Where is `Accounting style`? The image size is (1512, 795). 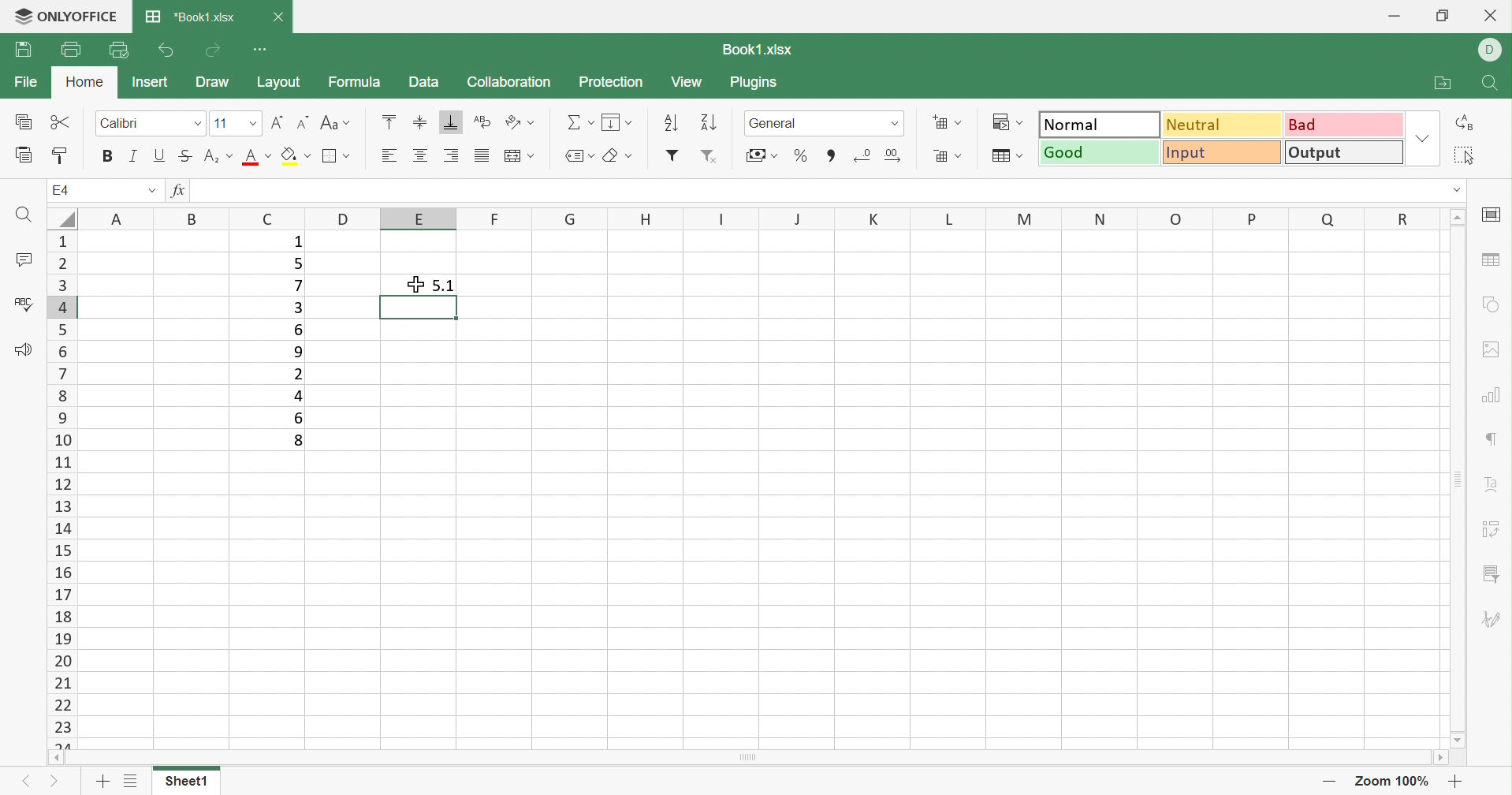
Accounting style is located at coordinates (764, 157).